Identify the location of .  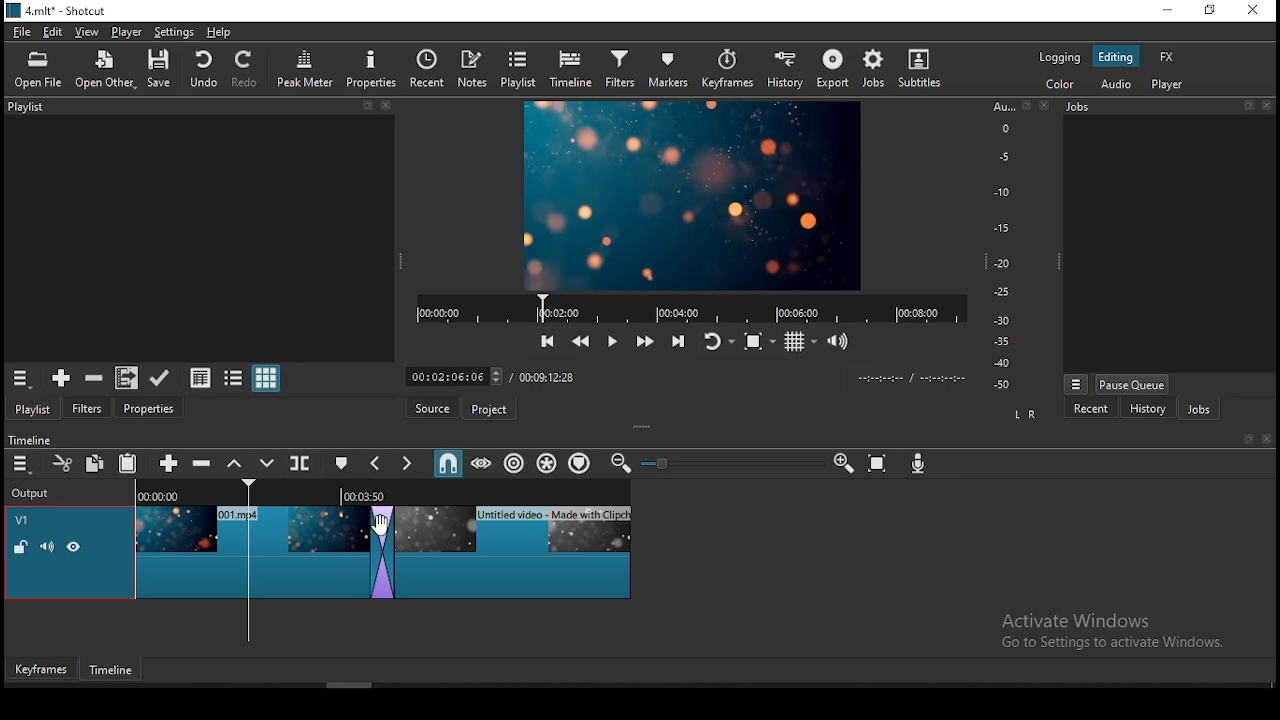
(165, 462).